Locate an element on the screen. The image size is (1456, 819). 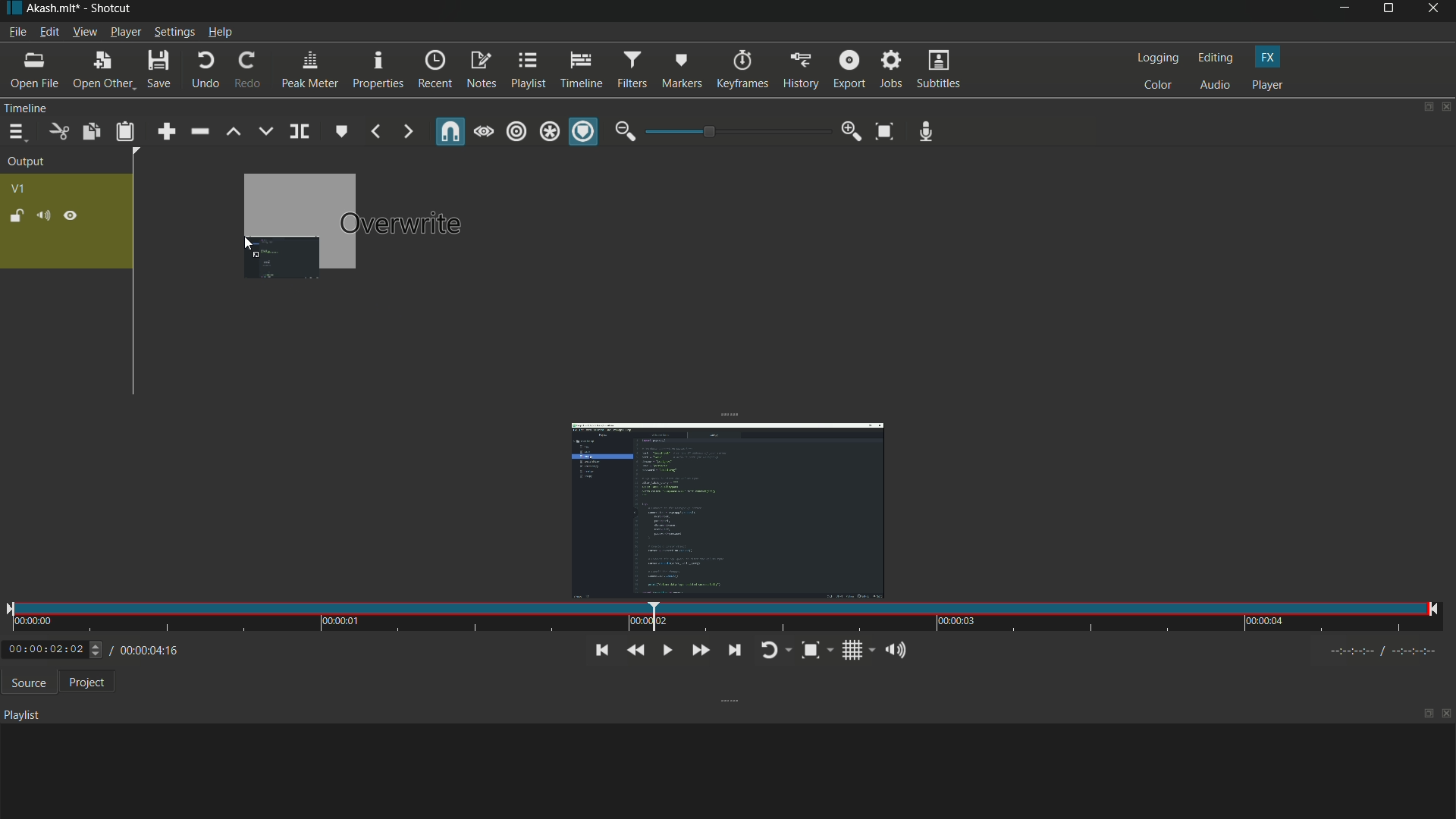
timeline is located at coordinates (581, 68).